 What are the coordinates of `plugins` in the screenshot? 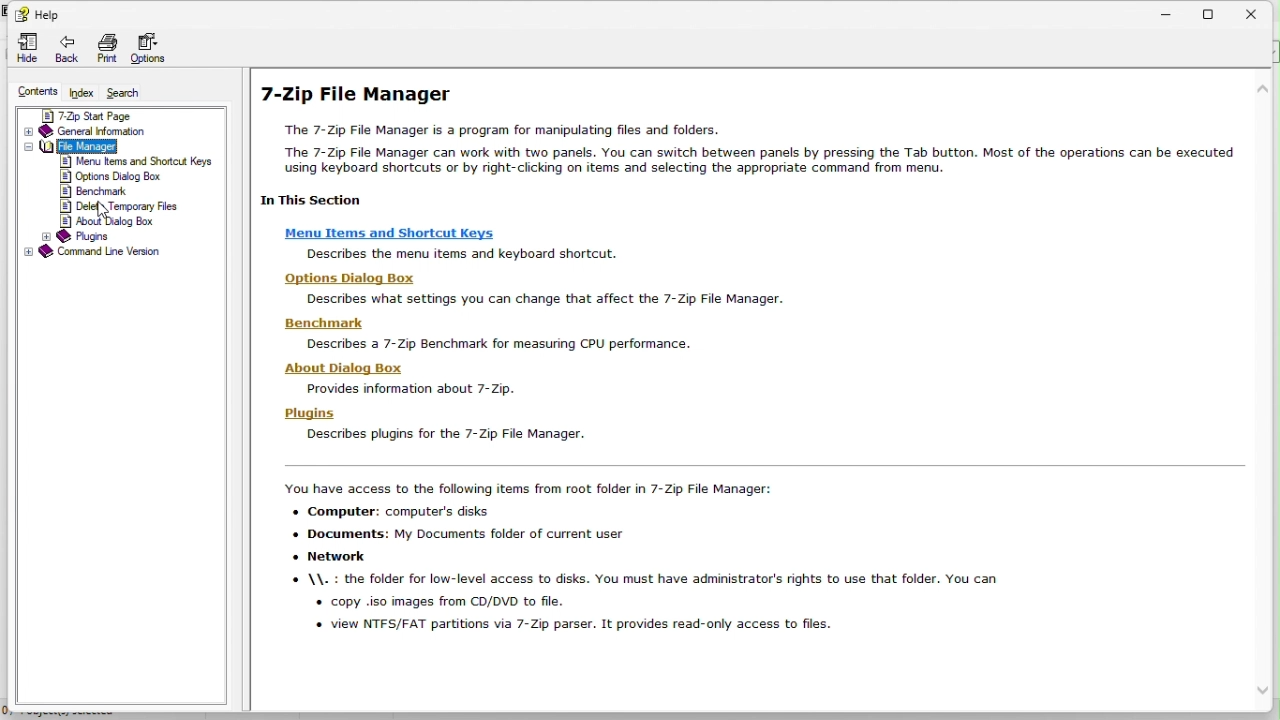 It's located at (91, 236).